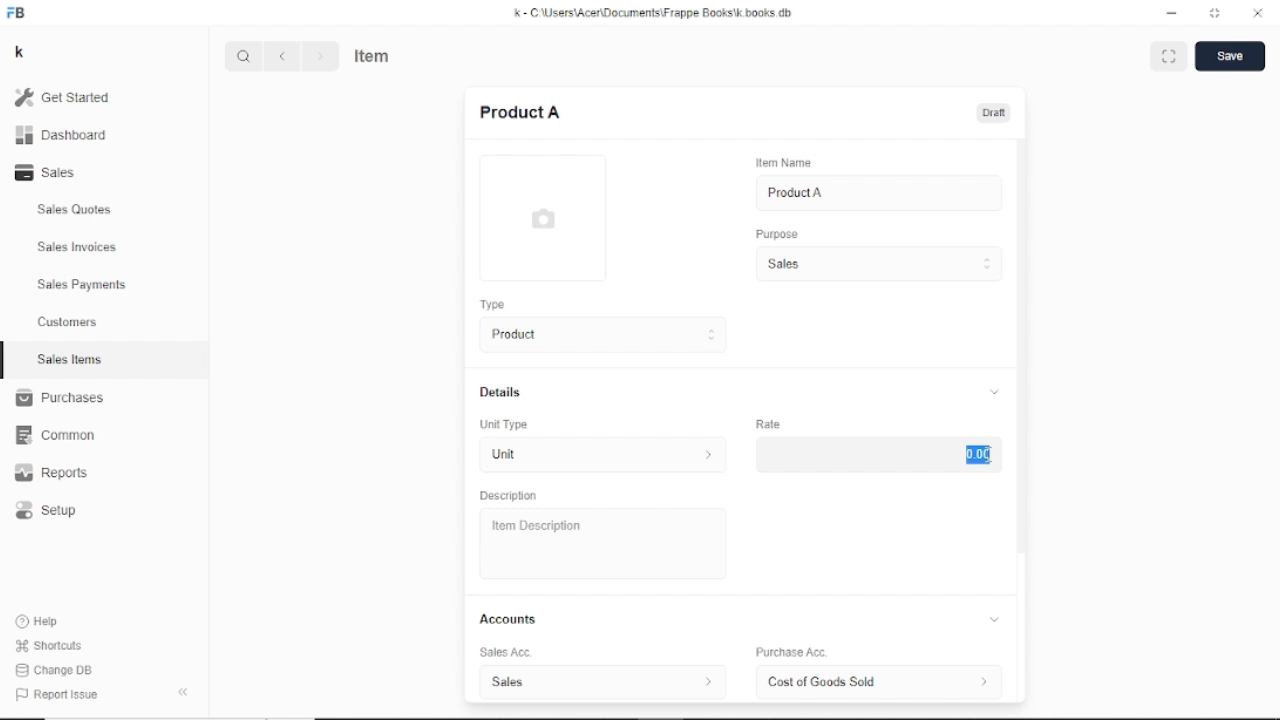 This screenshot has height=720, width=1280. What do you see at coordinates (1169, 56) in the screenshot?
I see `Toggle between form and full width` at bounding box center [1169, 56].